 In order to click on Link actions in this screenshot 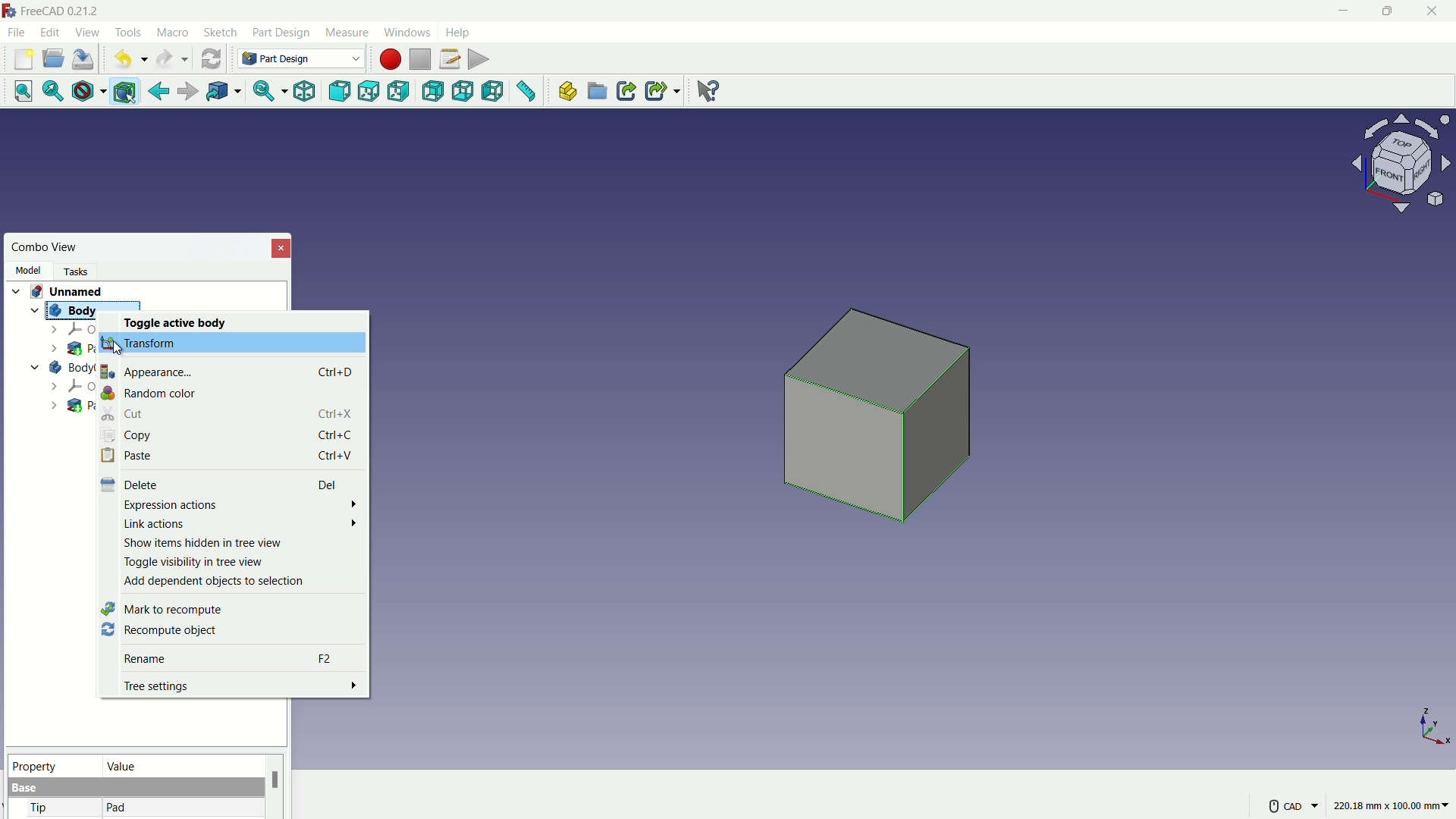, I will do `click(241, 523)`.